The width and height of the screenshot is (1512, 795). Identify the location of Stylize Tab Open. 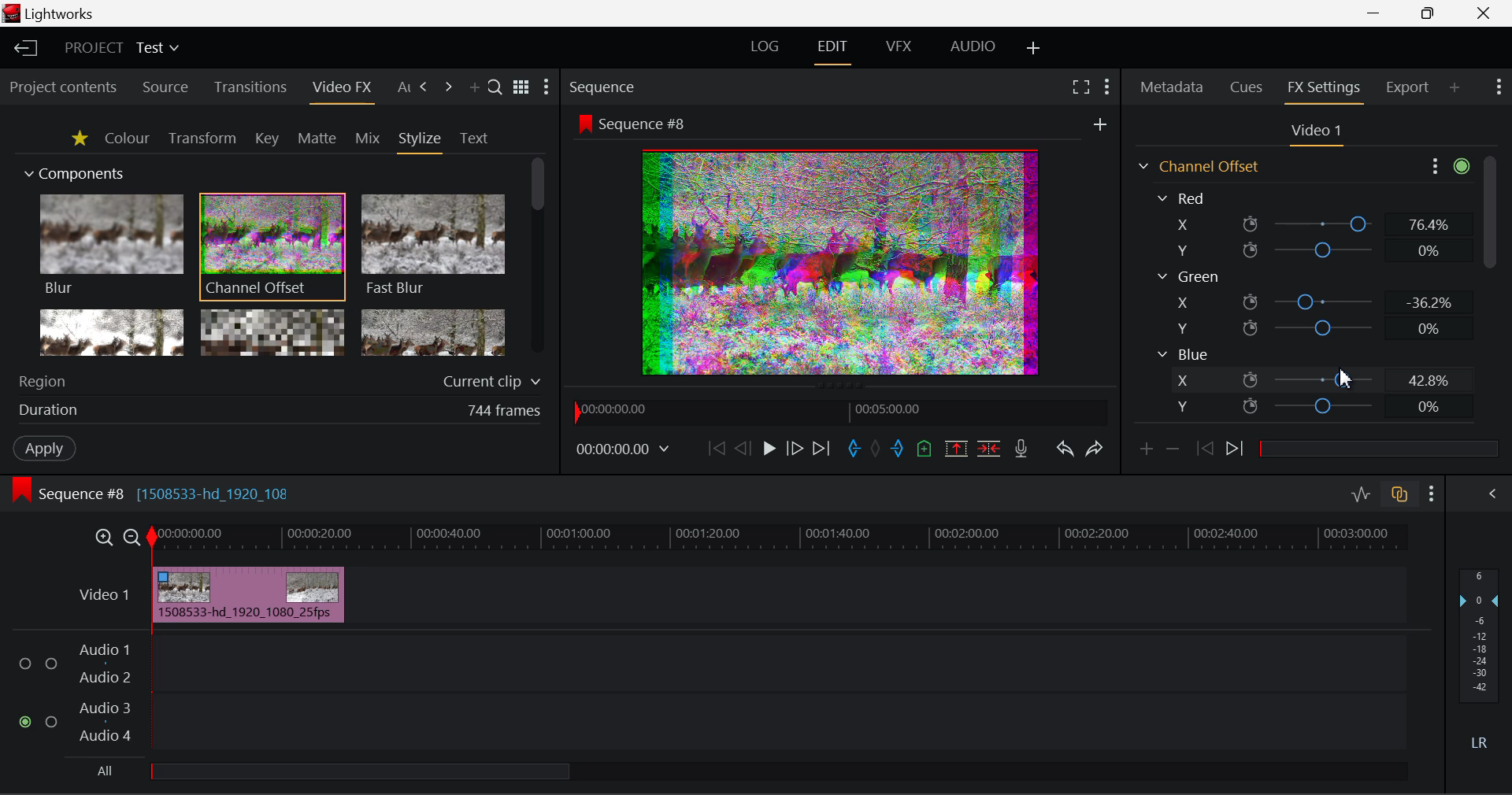
(419, 142).